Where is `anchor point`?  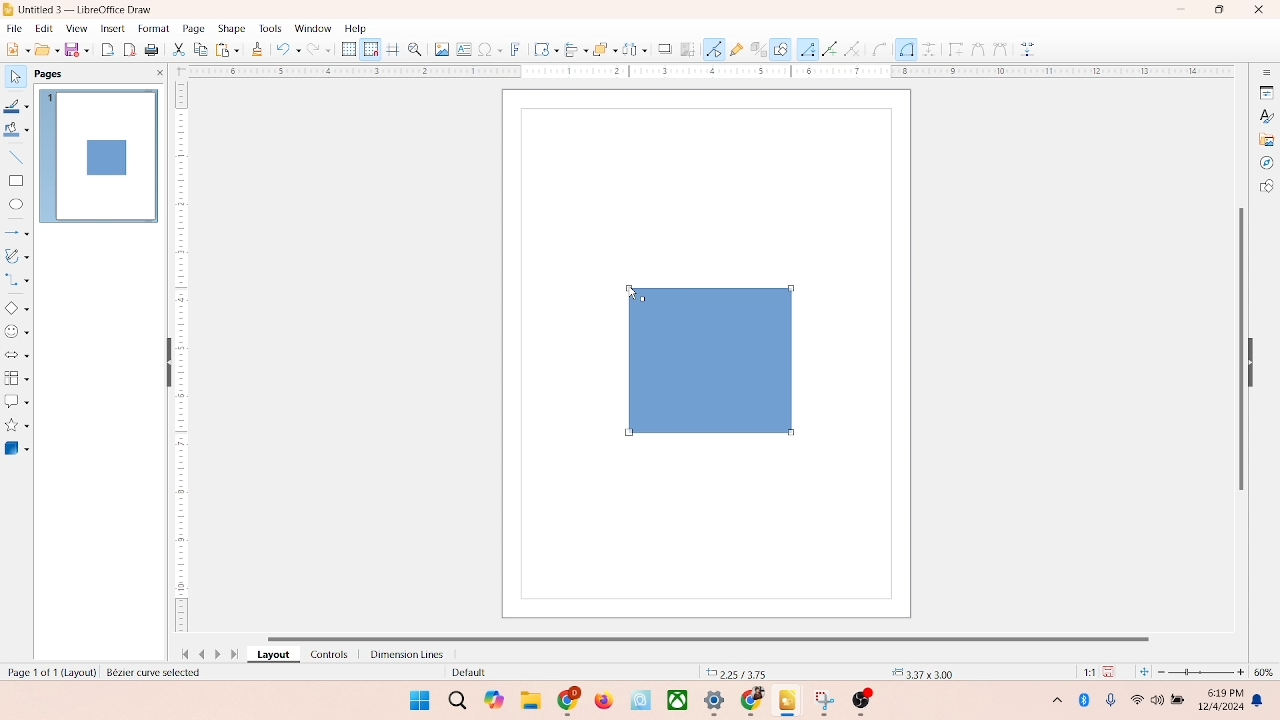
anchor point is located at coordinates (920, 671).